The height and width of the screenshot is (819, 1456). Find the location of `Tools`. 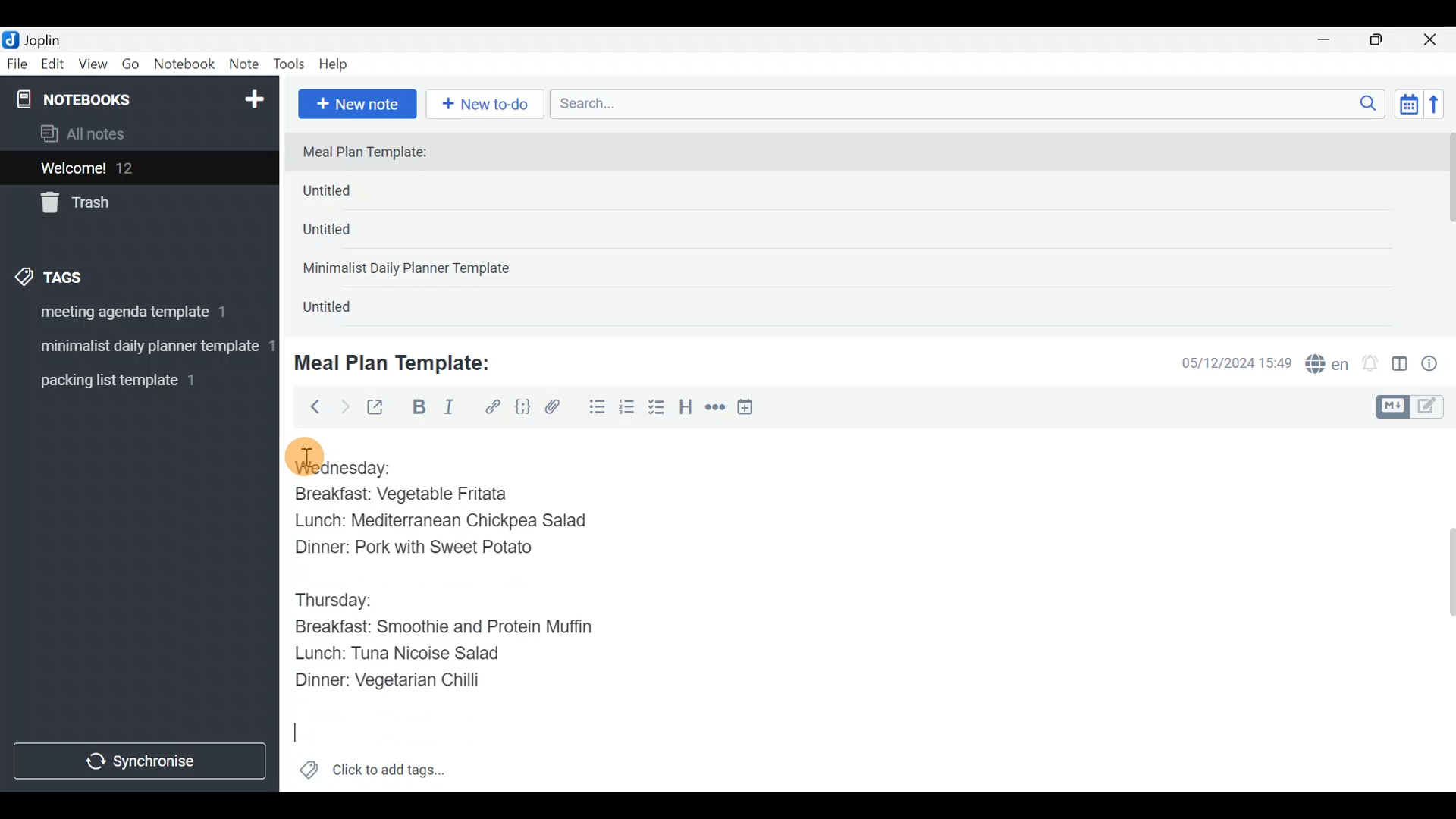

Tools is located at coordinates (290, 65).